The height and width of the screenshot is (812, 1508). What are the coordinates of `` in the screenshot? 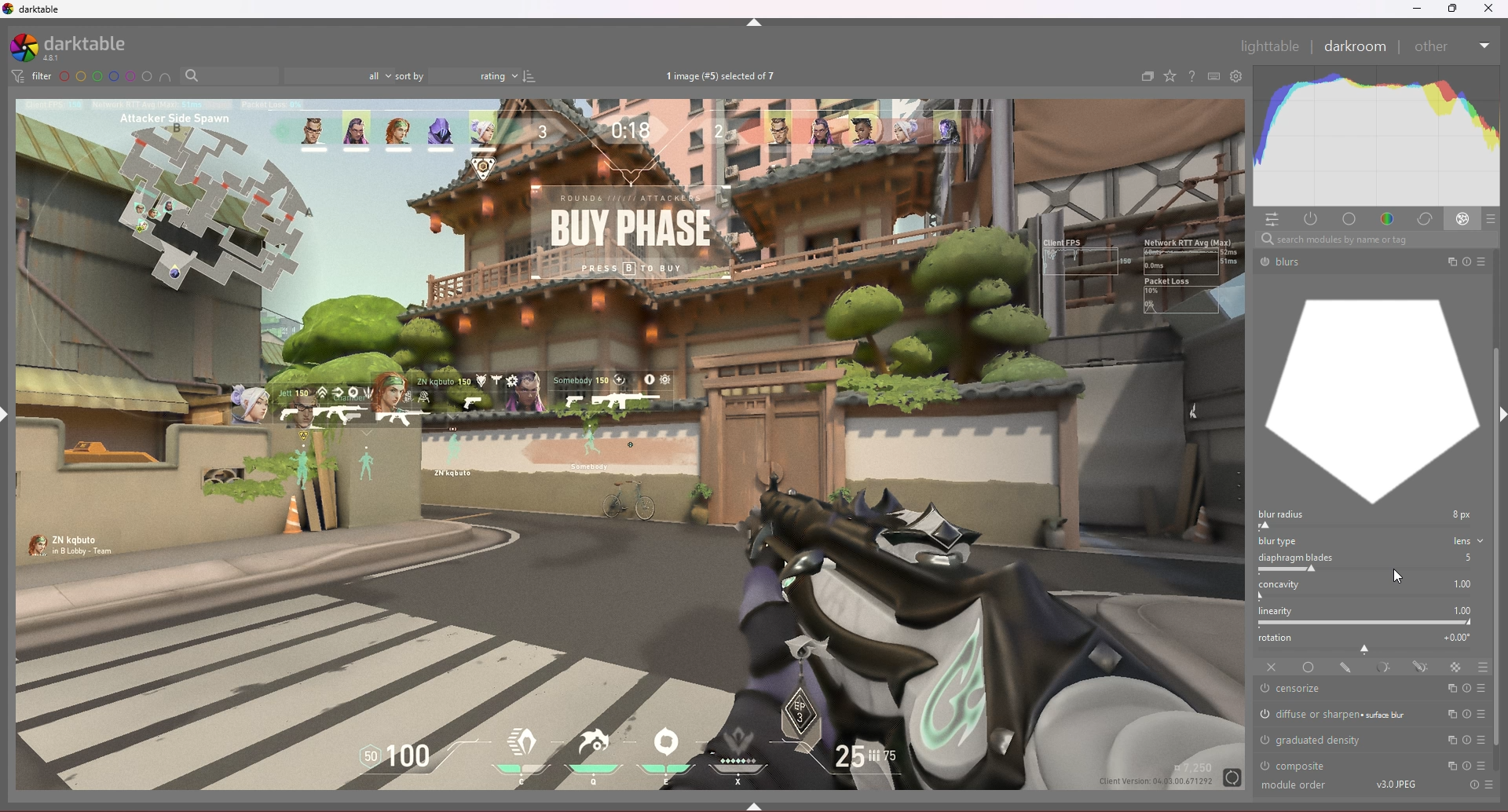 It's located at (1281, 263).